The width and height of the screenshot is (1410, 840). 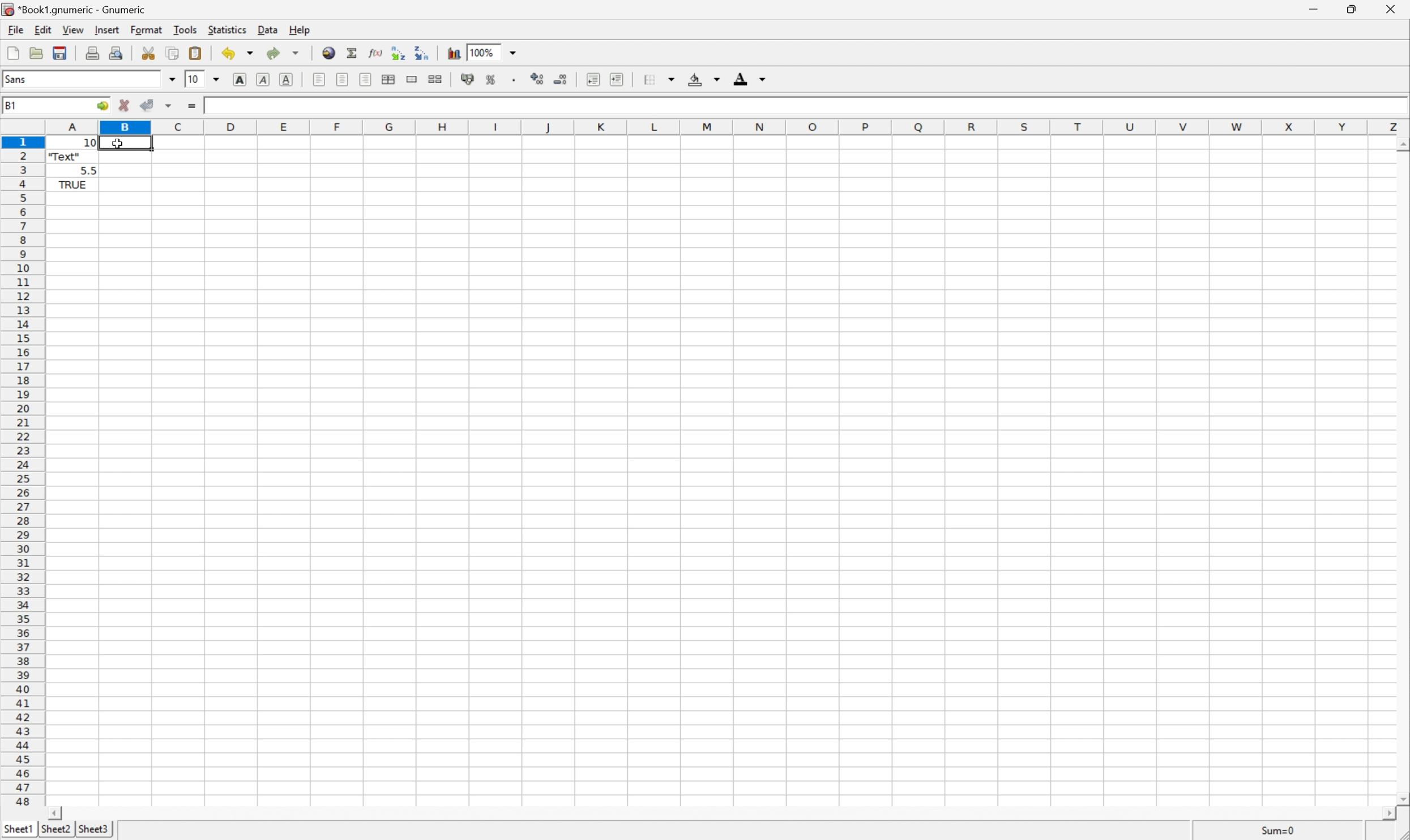 What do you see at coordinates (42, 29) in the screenshot?
I see `Edit` at bounding box center [42, 29].